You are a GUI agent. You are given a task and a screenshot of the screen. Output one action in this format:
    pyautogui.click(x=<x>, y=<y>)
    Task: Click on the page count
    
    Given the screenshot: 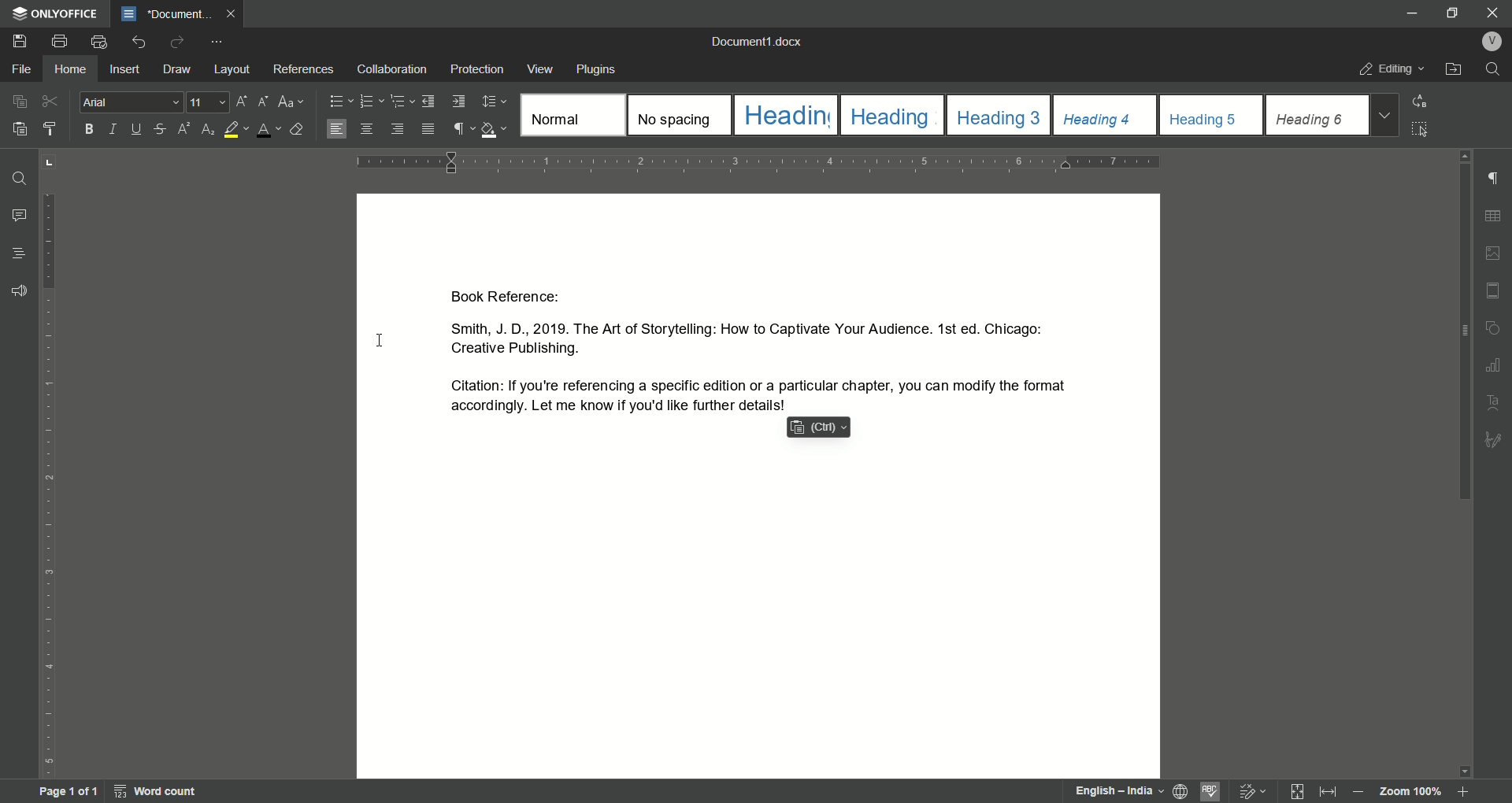 What is the action you would take?
    pyautogui.click(x=67, y=792)
    